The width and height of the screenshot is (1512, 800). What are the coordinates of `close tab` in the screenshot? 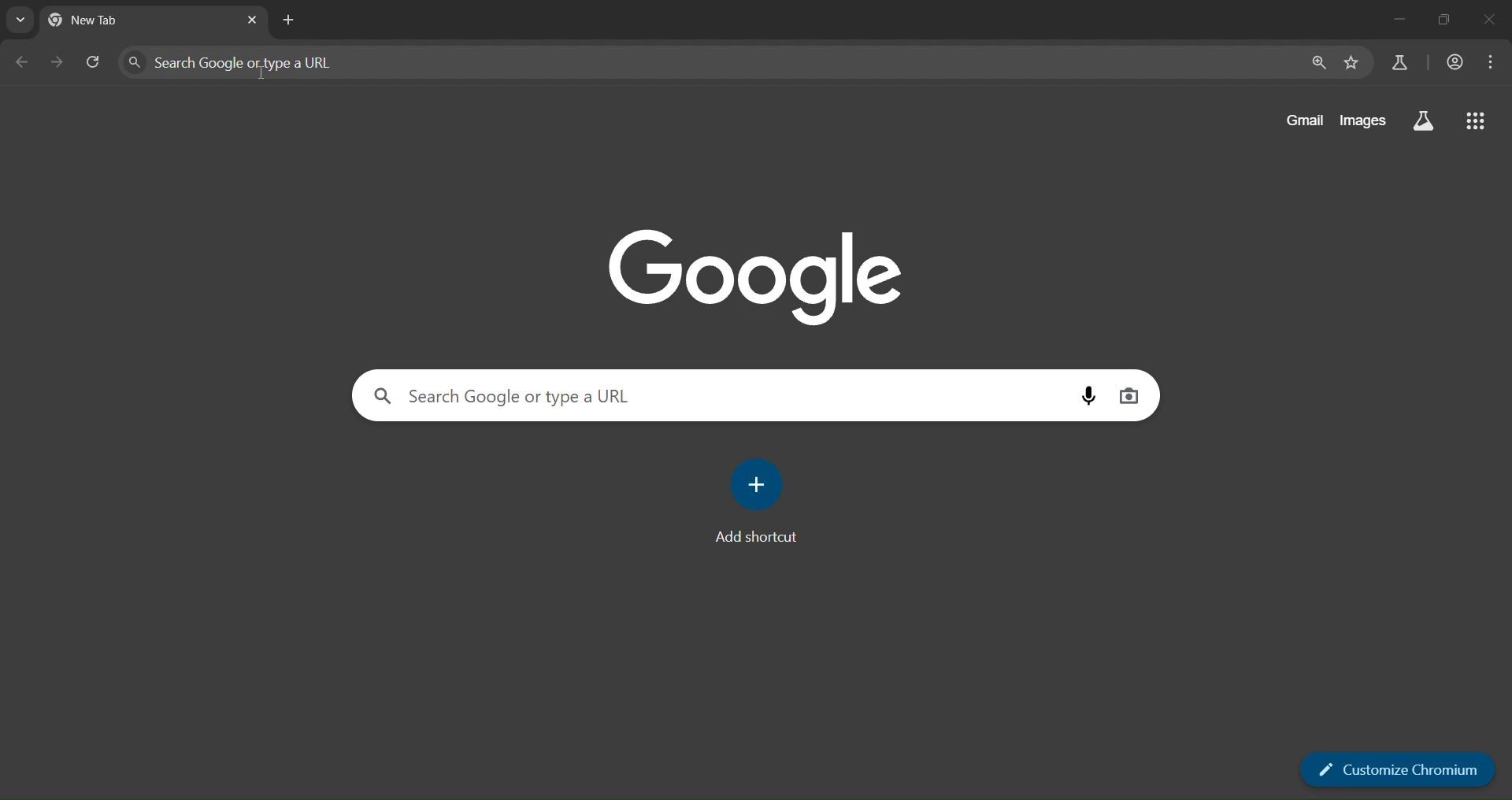 It's located at (252, 21).